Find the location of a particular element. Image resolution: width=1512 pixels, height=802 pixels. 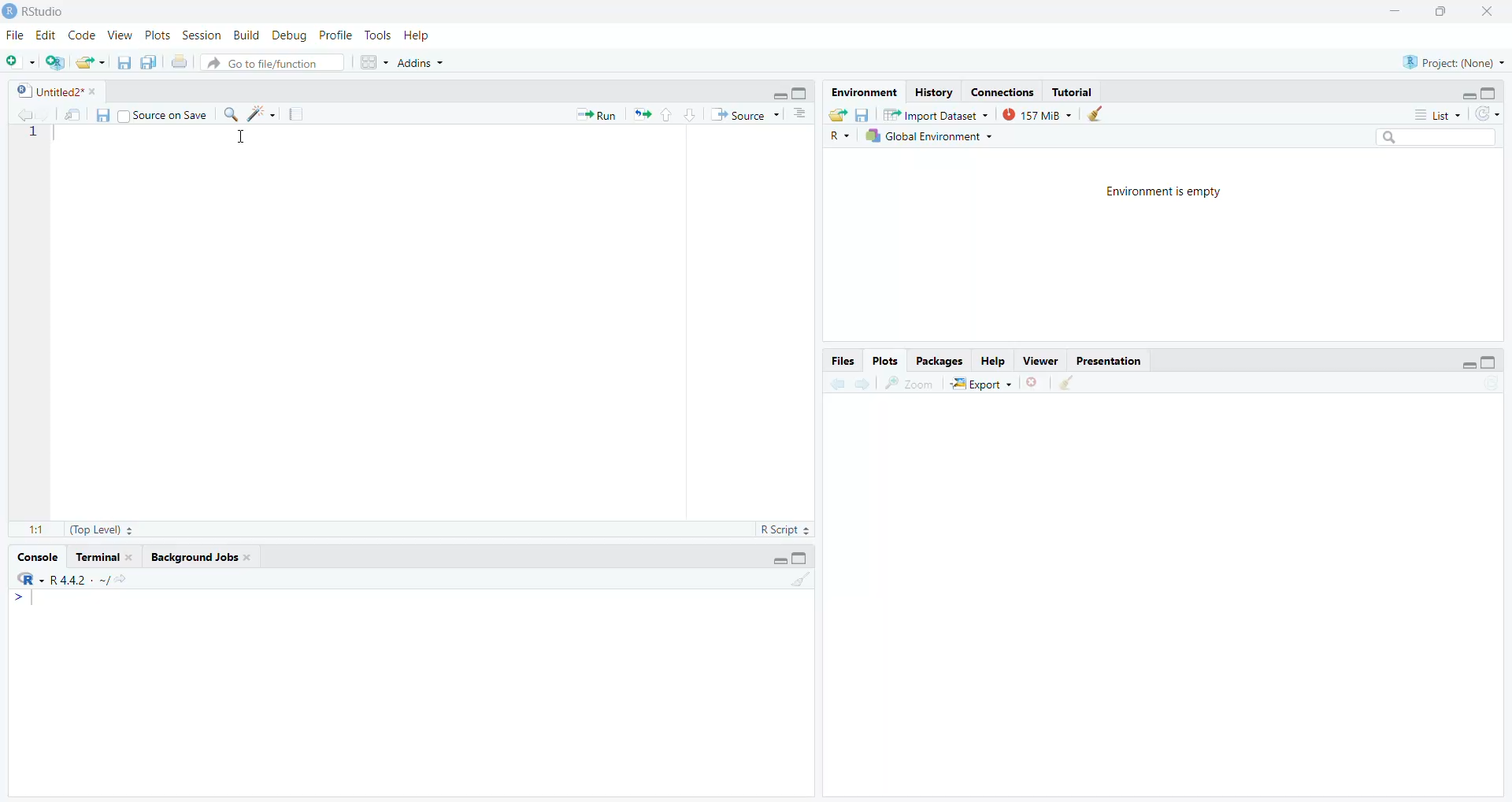

| Source on Save is located at coordinates (165, 113).